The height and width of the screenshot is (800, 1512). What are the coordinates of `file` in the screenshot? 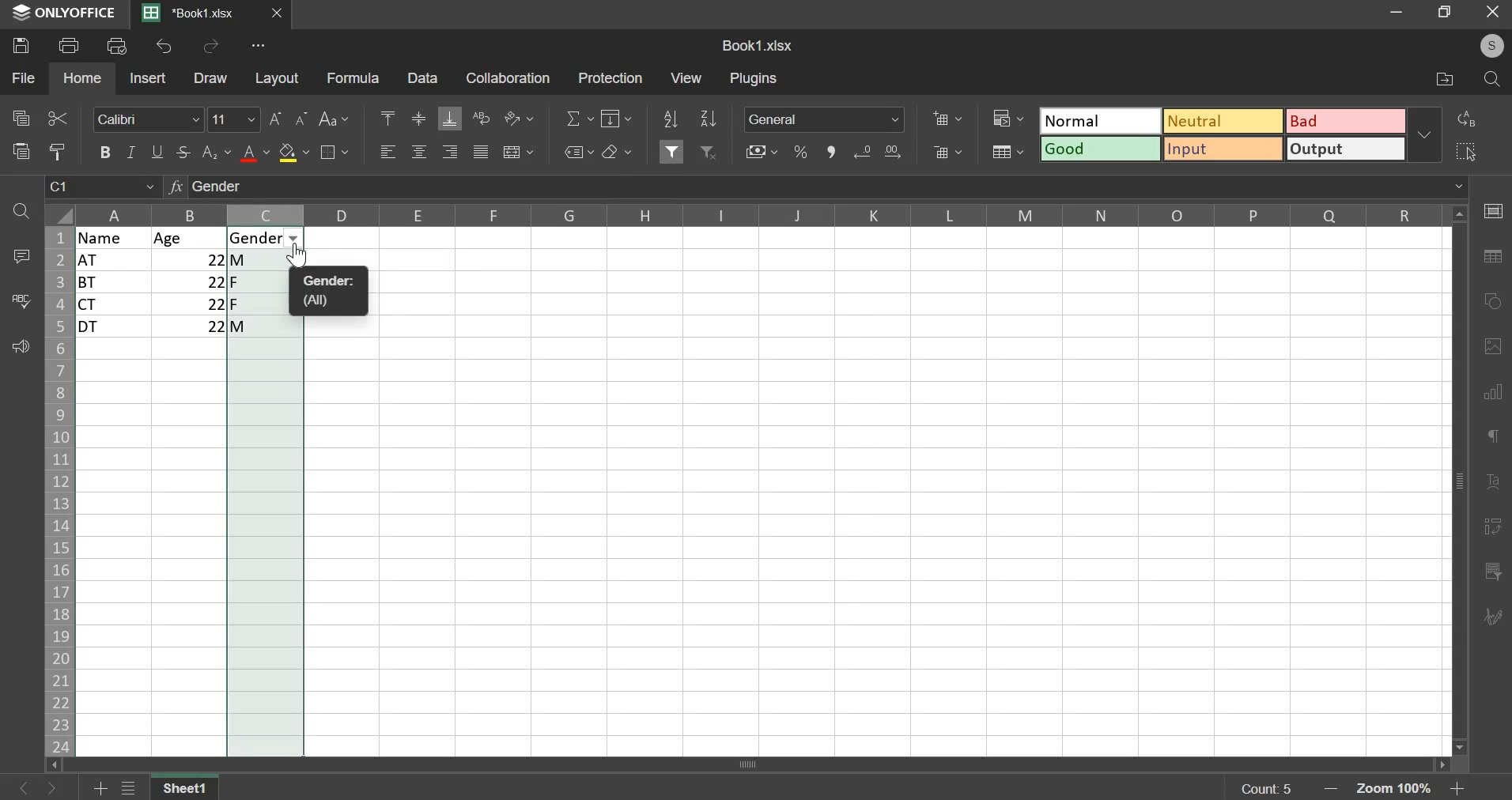 It's located at (23, 77).